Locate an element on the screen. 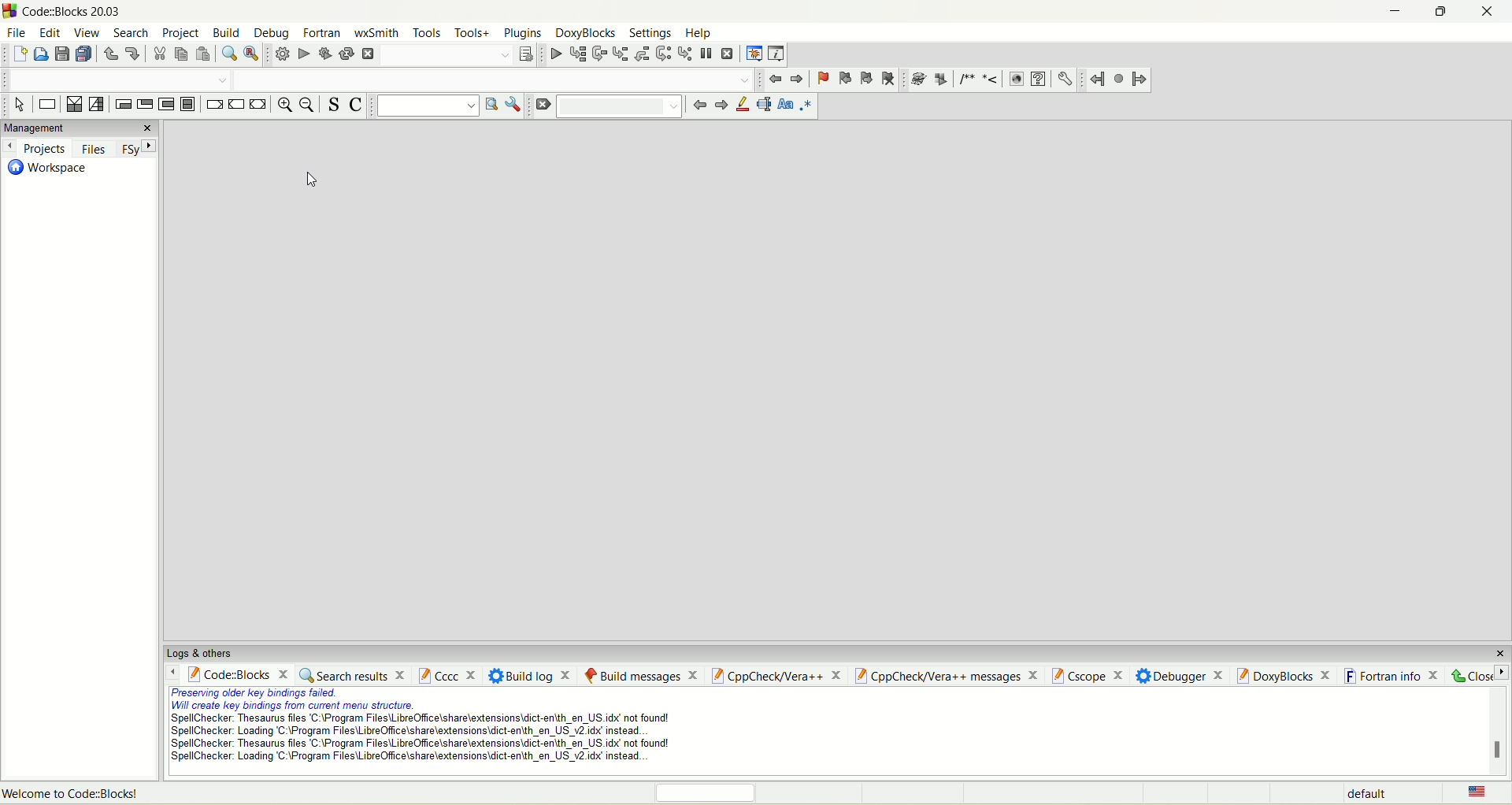 Image resolution: width=1512 pixels, height=805 pixels. language is located at coordinates (1475, 792).